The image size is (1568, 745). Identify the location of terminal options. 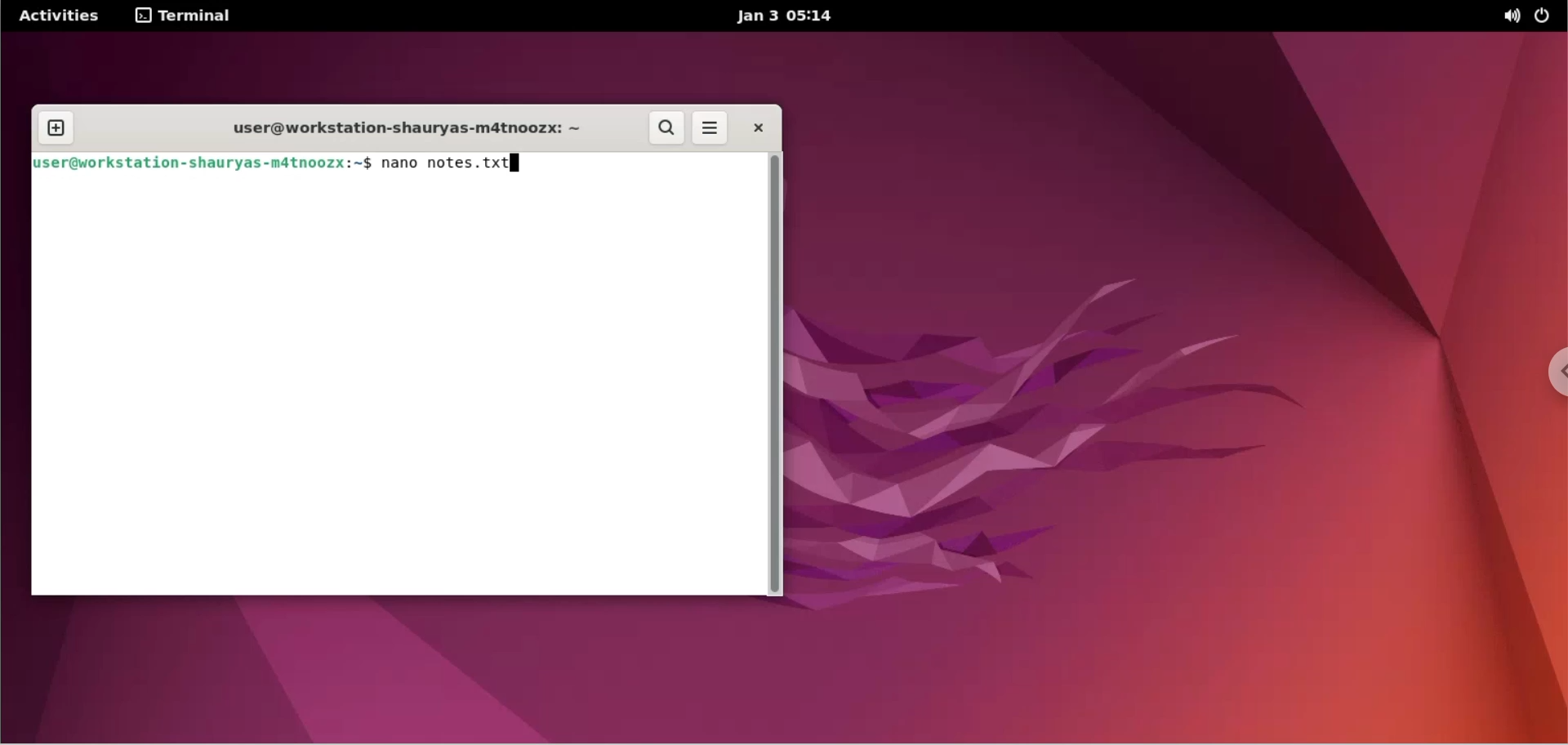
(185, 16).